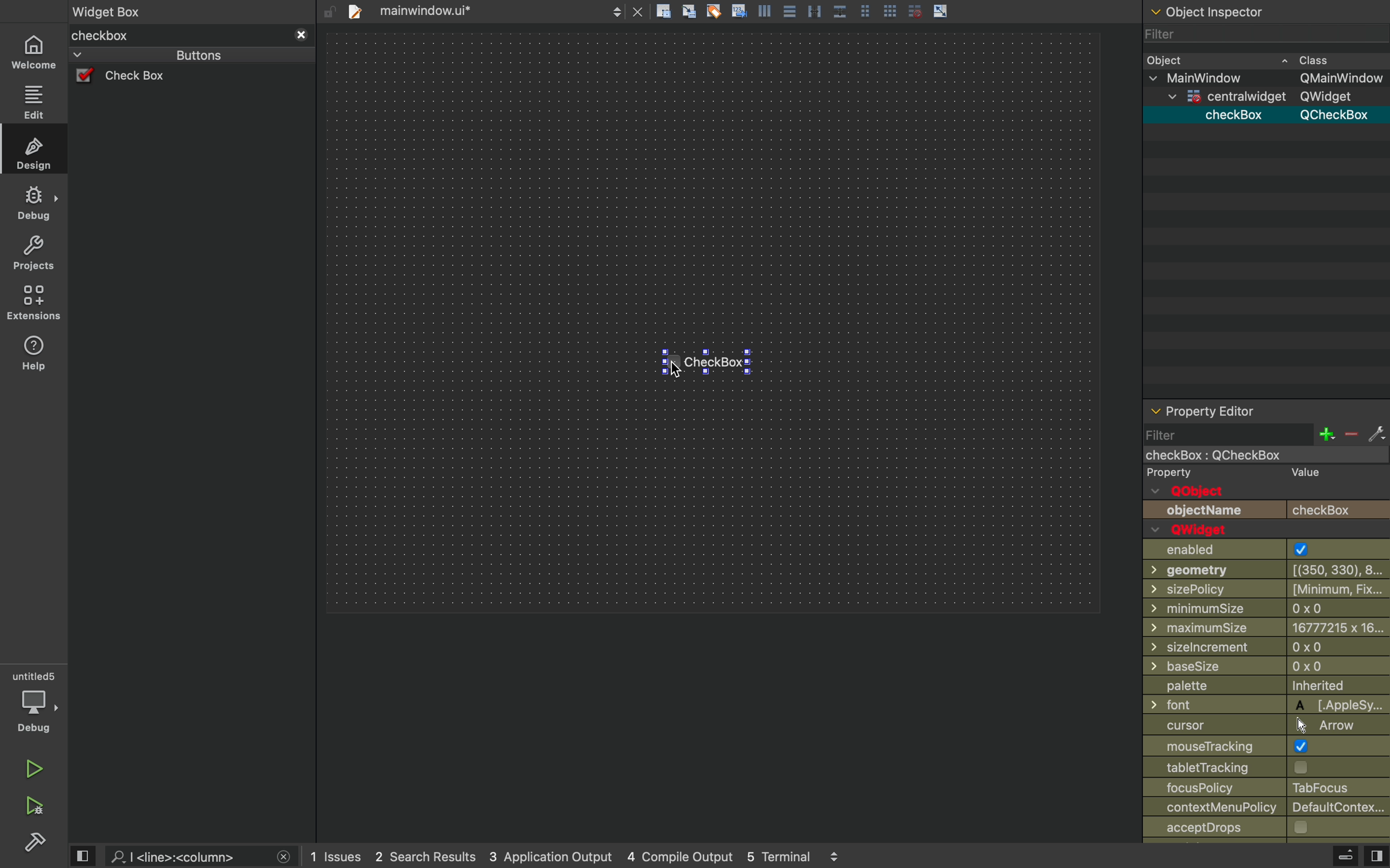  Describe the element at coordinates (688, 10) in the screenshot. I see `align to grid` at that location.